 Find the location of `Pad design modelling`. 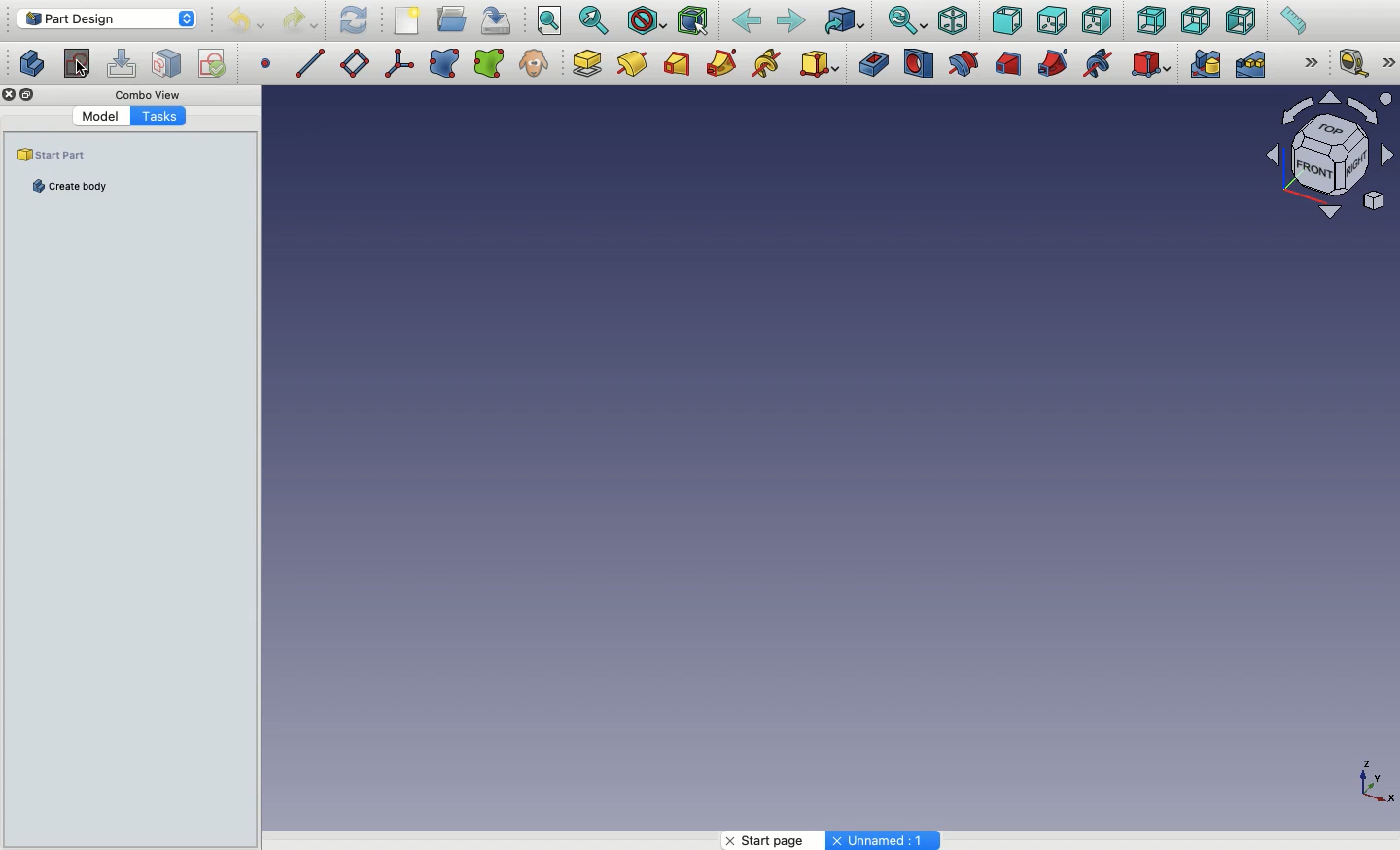

Pad design modelling is located at coordinates (634, 66).